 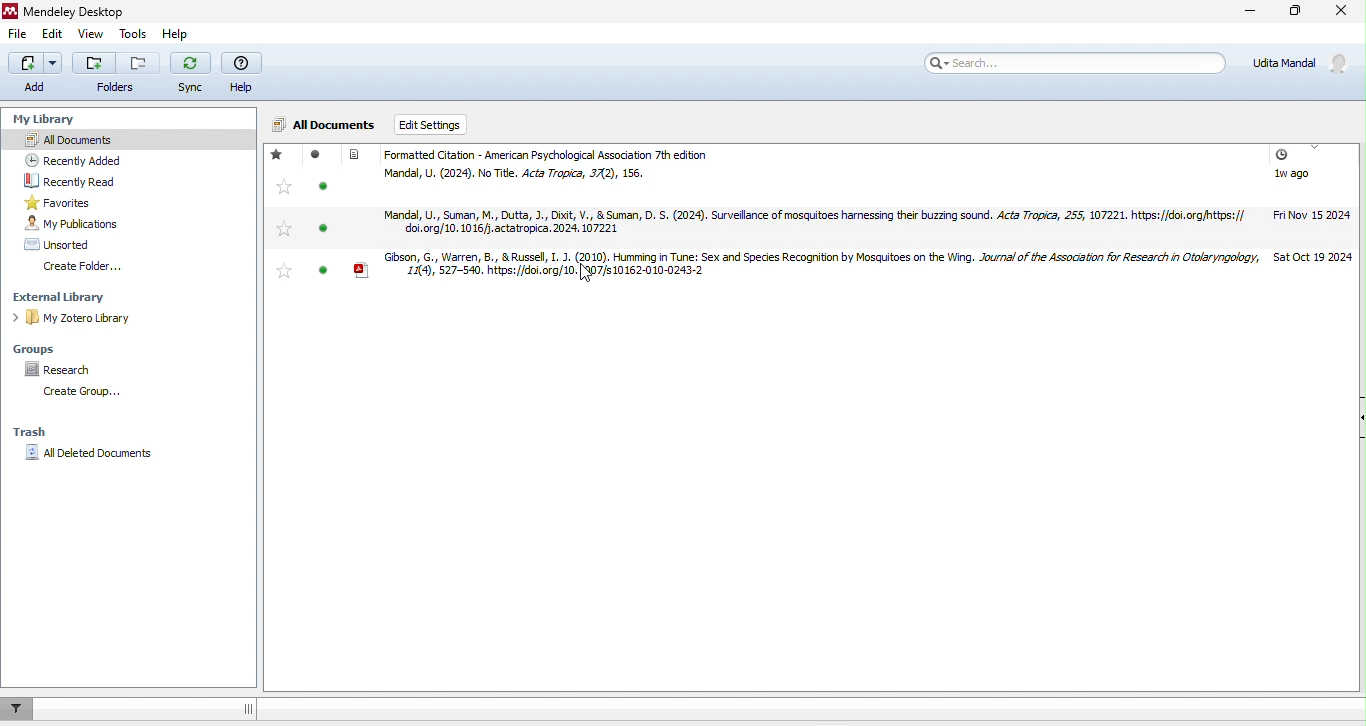 I want to click on help, so click(x=245, y=73).